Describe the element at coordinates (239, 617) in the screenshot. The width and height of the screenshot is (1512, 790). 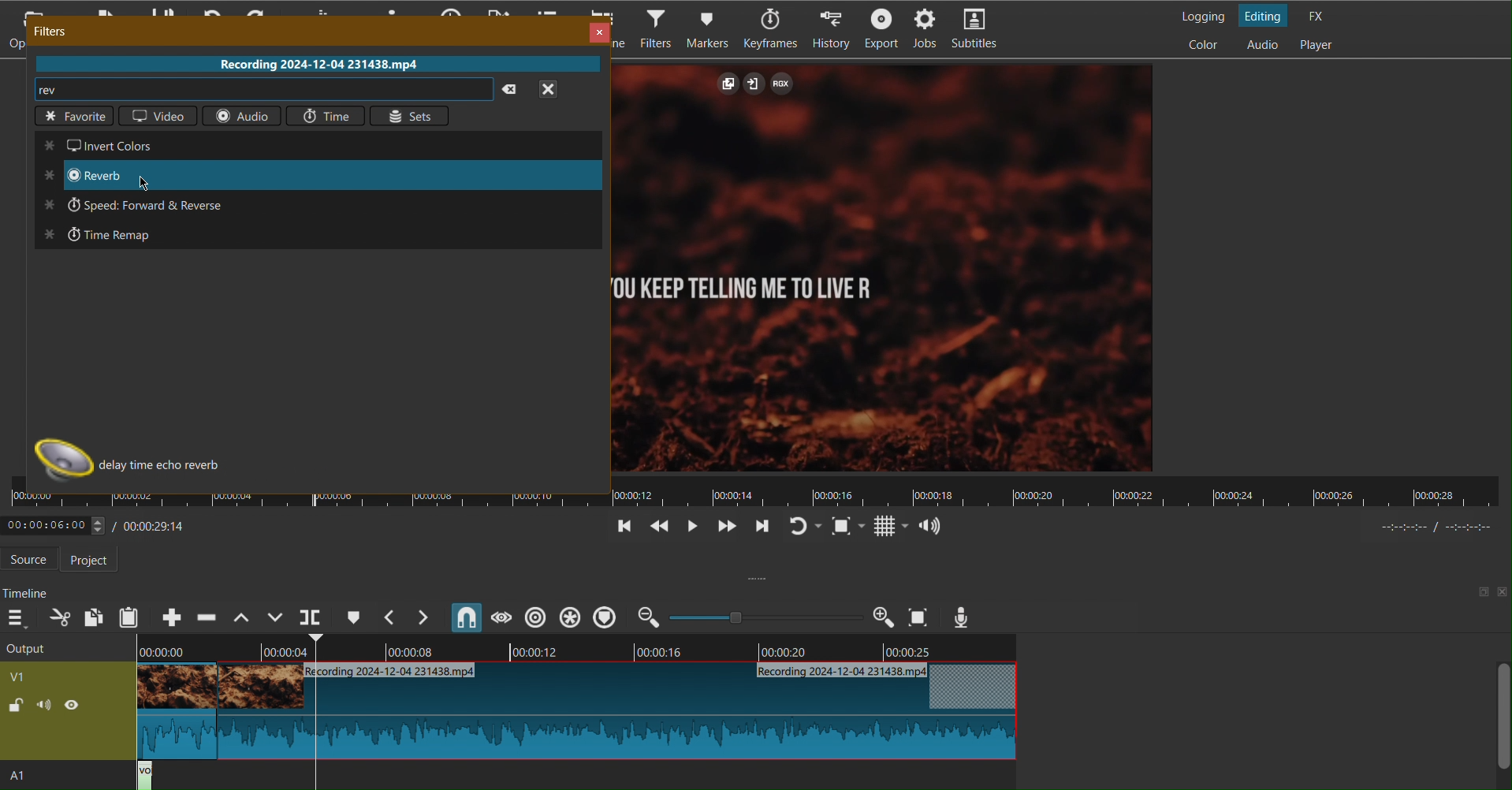
I see `Lift` at that location.